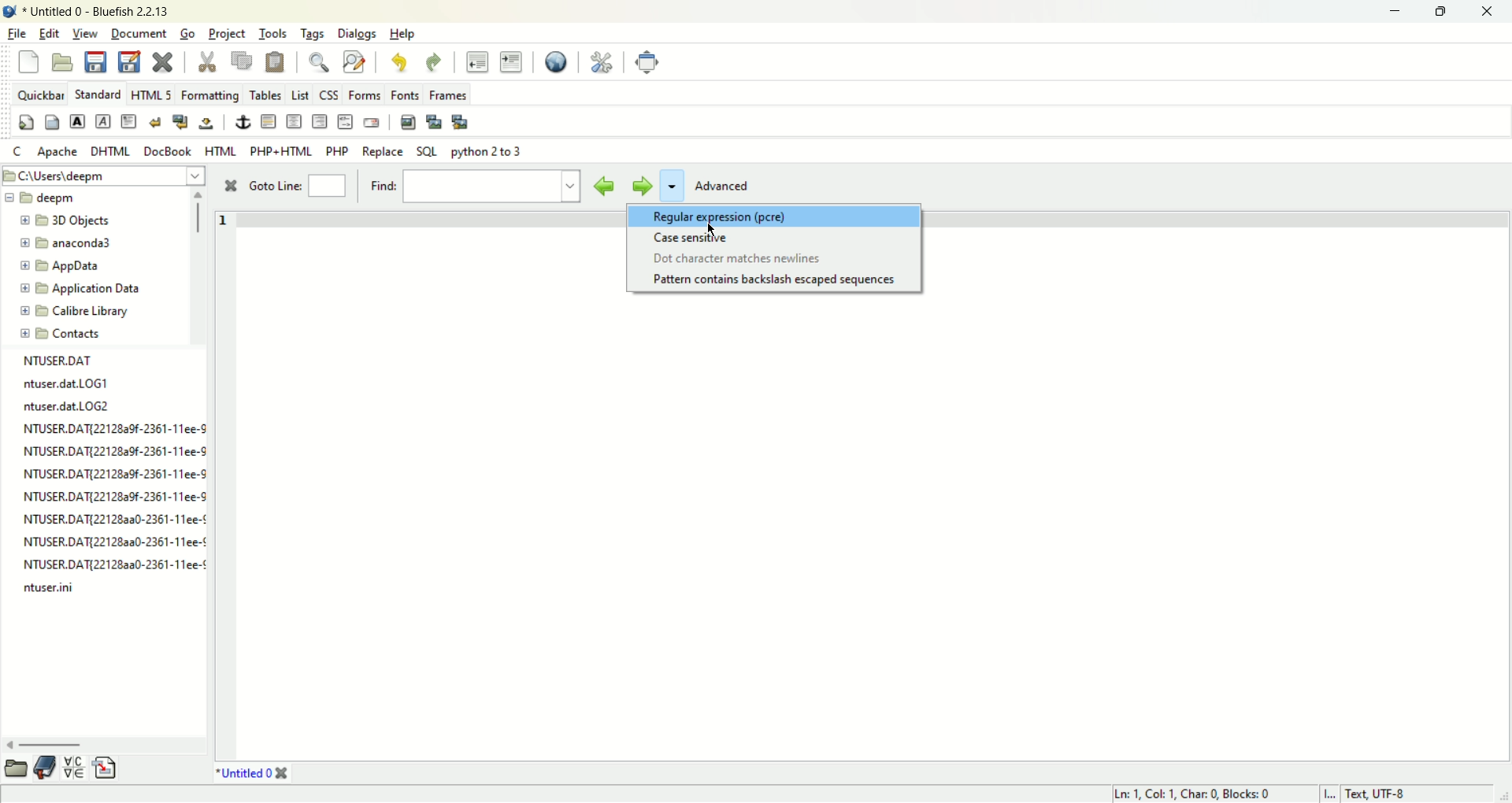  Describe the element at coordinates (98, 93) in the screenshot. I see `Standard` at that location.